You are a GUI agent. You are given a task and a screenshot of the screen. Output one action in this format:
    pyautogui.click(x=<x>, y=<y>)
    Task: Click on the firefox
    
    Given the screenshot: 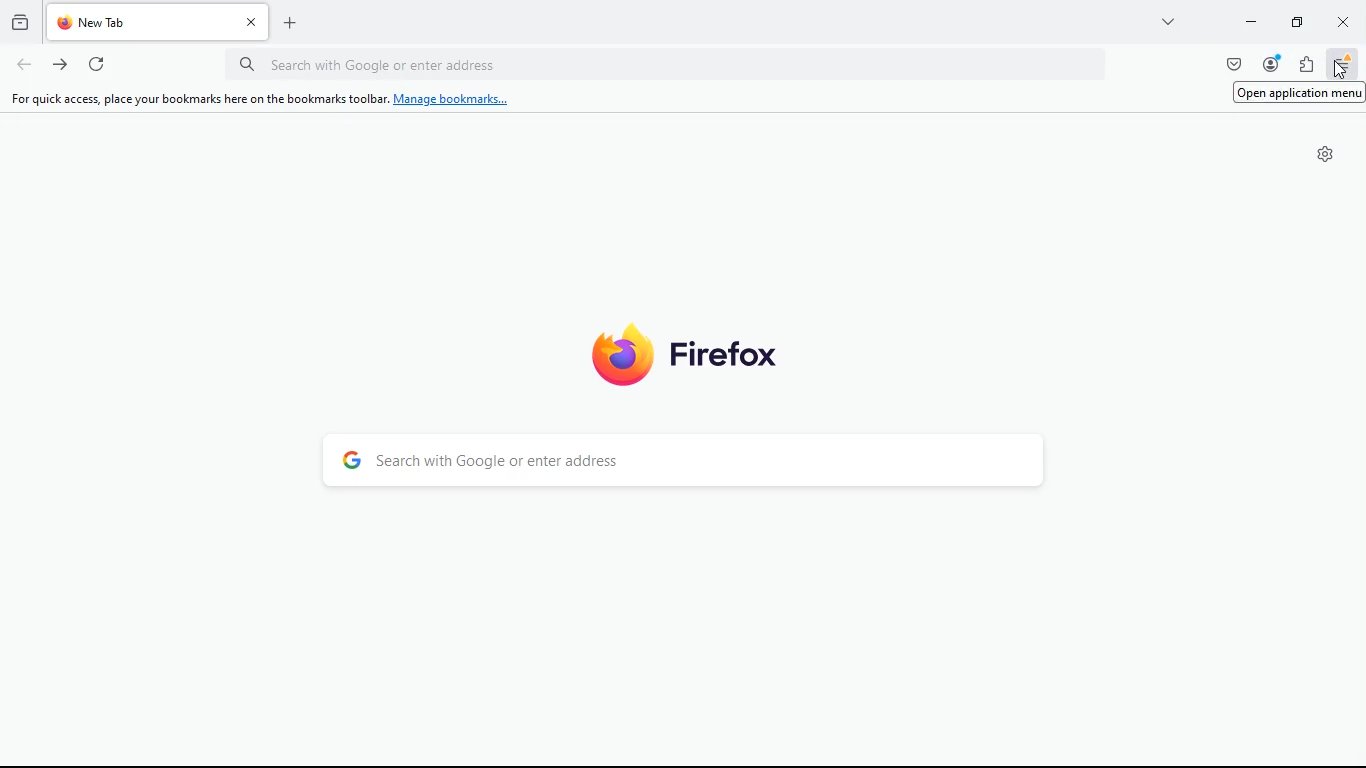 What is the action you would take?
    pyautogui.click(x=685, y=352)
    